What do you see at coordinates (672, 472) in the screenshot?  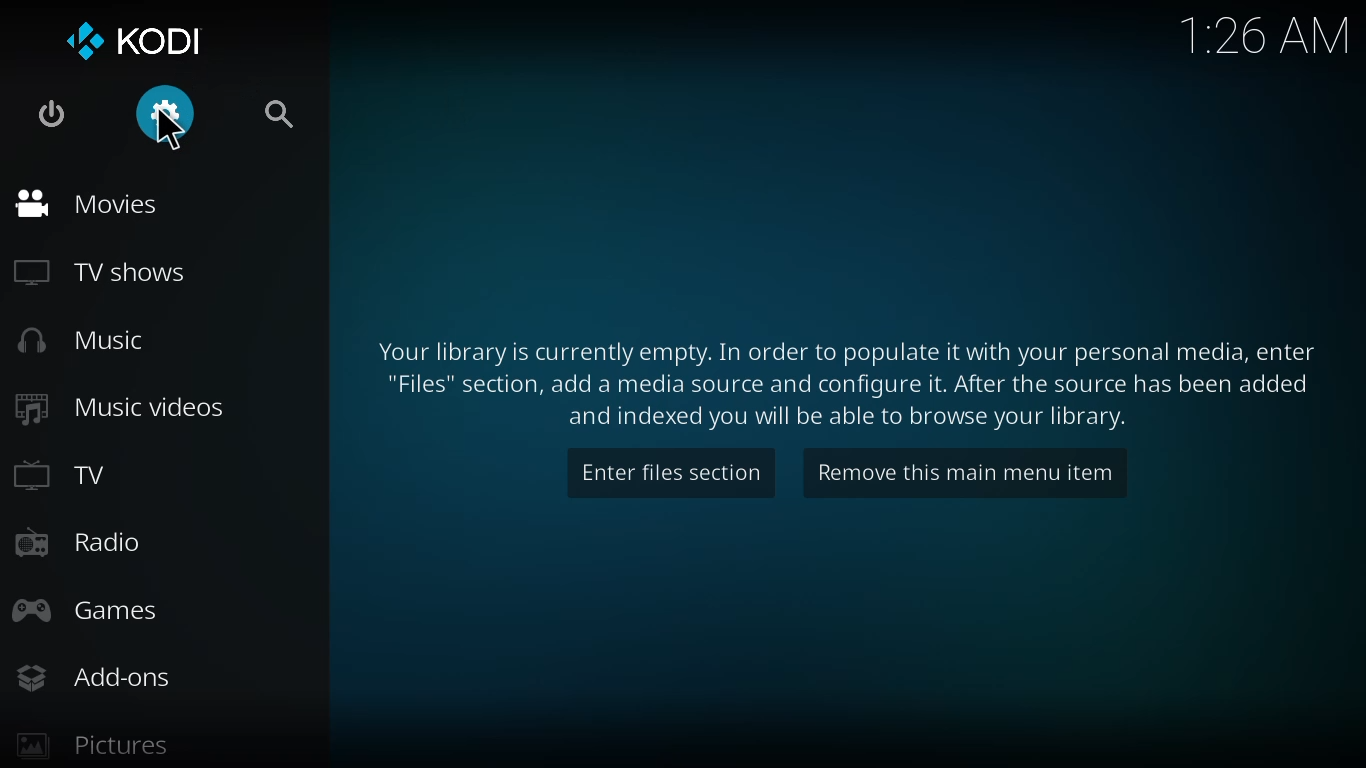 I see `enter files section` at bounding box center [672, 472].